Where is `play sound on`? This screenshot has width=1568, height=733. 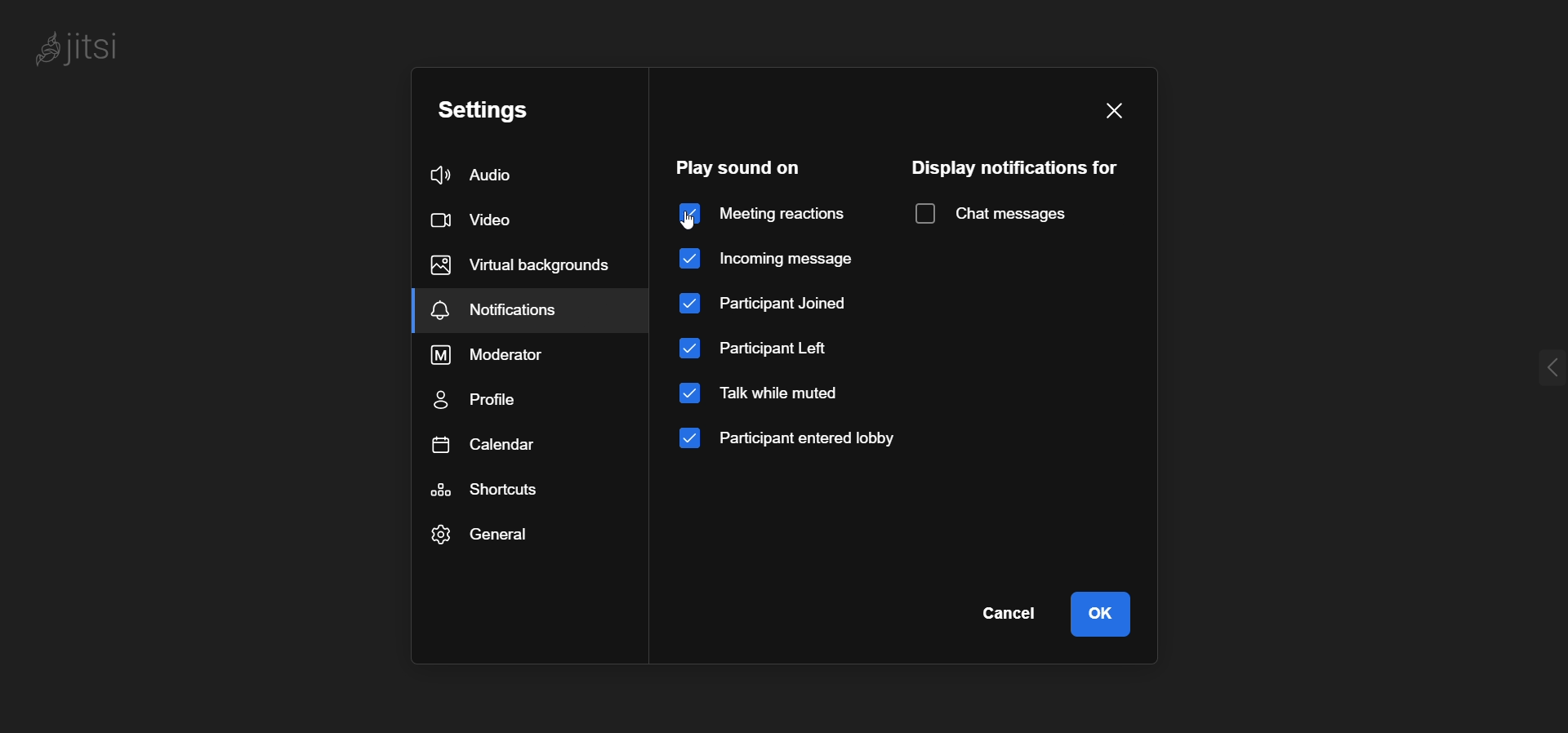
play sound on is located at coordinates (749, 167).